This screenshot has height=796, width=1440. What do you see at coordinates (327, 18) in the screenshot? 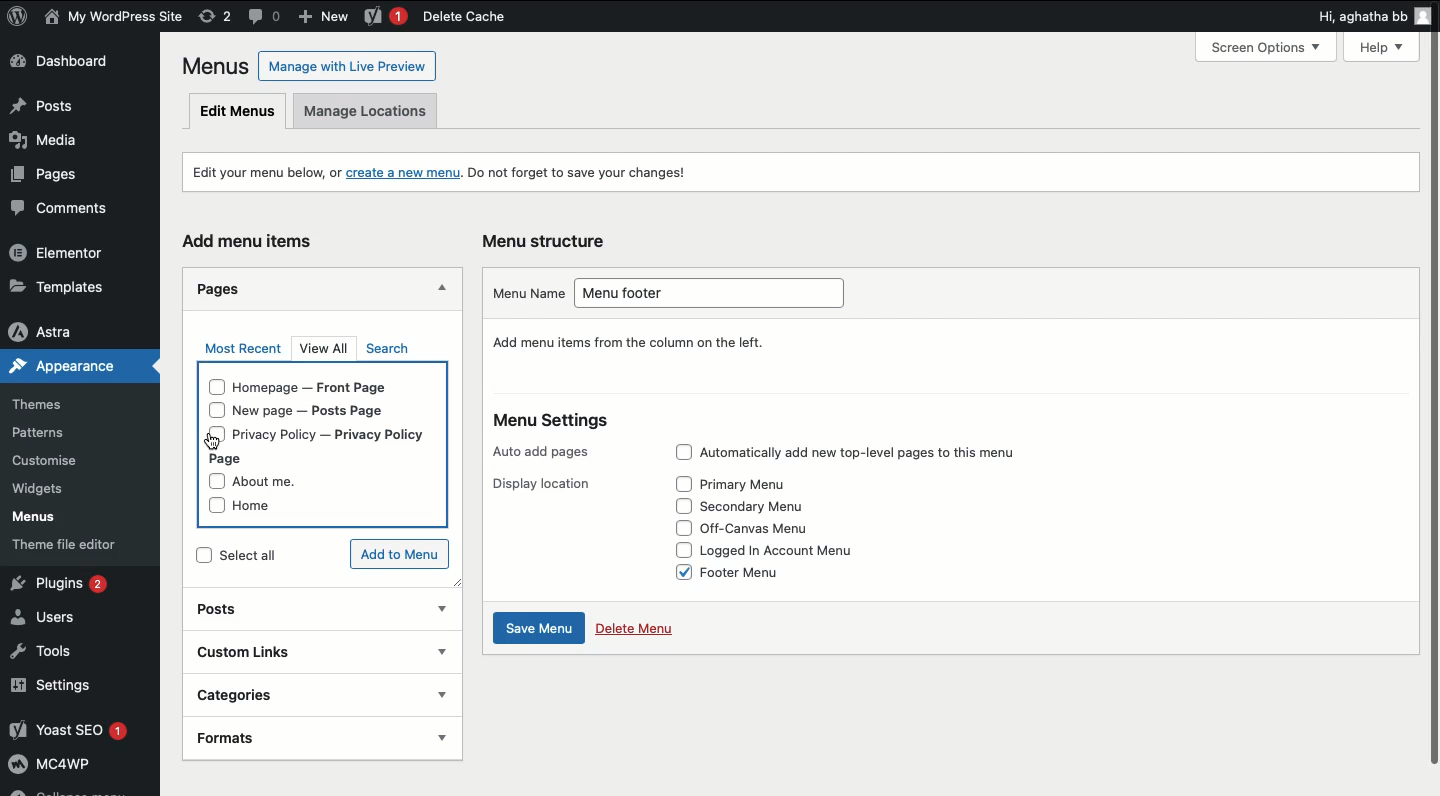
I see `New` at bounding box center [327, 18].